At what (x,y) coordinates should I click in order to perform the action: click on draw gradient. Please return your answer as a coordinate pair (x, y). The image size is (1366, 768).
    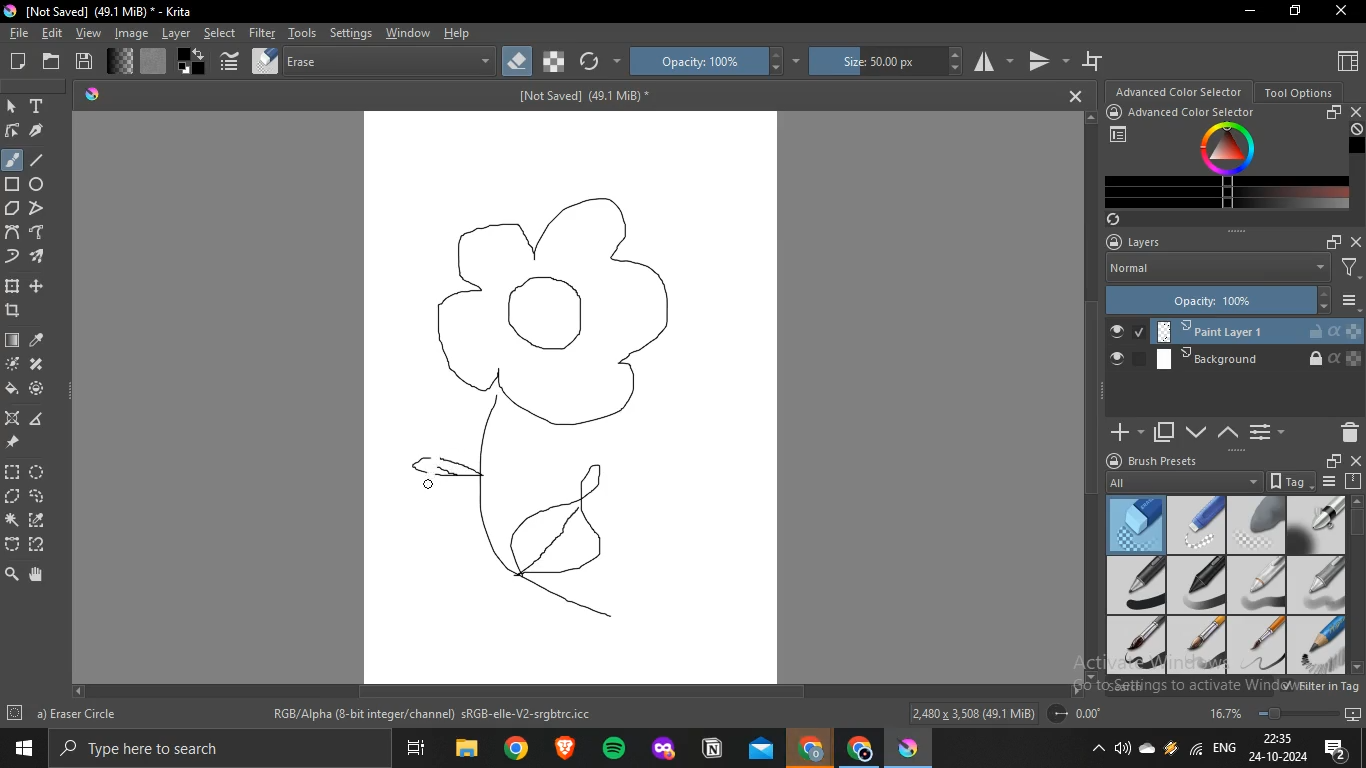
    Looking at the image, I should click on (13, 341).